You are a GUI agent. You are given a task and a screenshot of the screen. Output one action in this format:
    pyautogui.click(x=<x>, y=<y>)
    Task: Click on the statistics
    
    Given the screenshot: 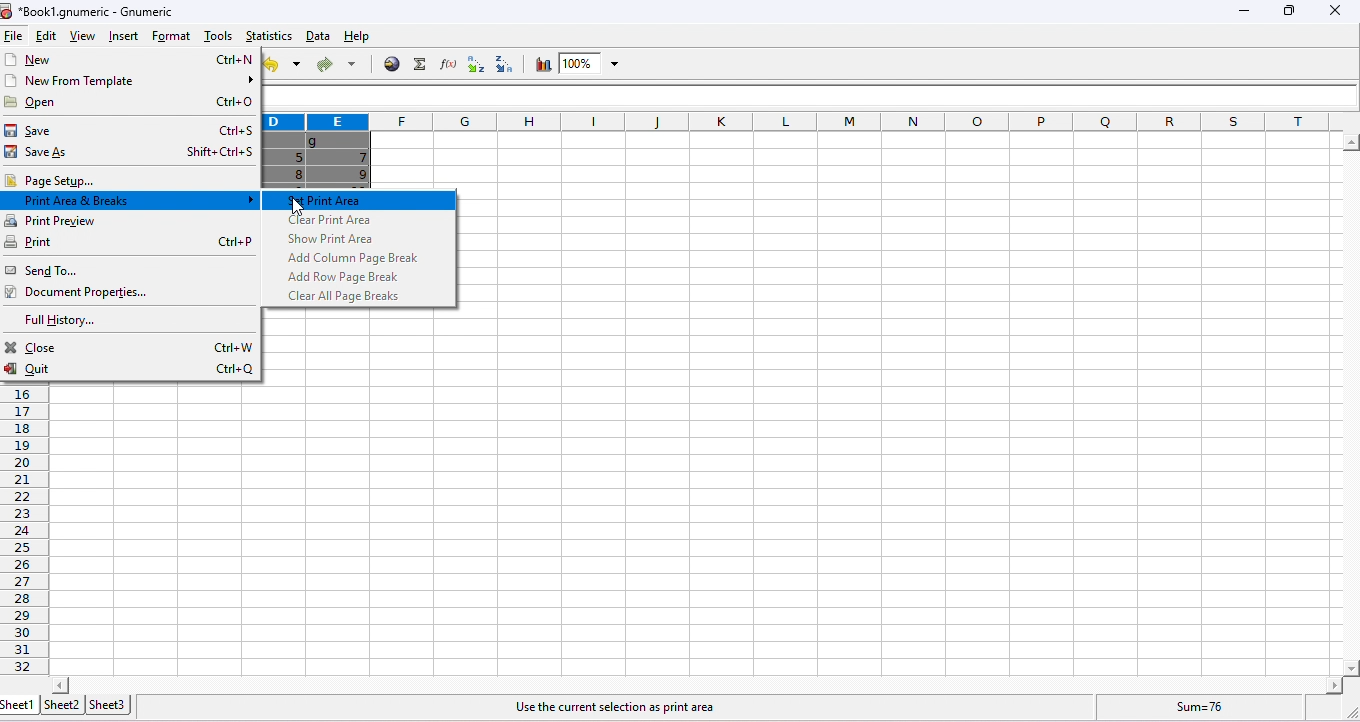 What is the action you would take?
    pyautogui.click(x=267, y=35)
    